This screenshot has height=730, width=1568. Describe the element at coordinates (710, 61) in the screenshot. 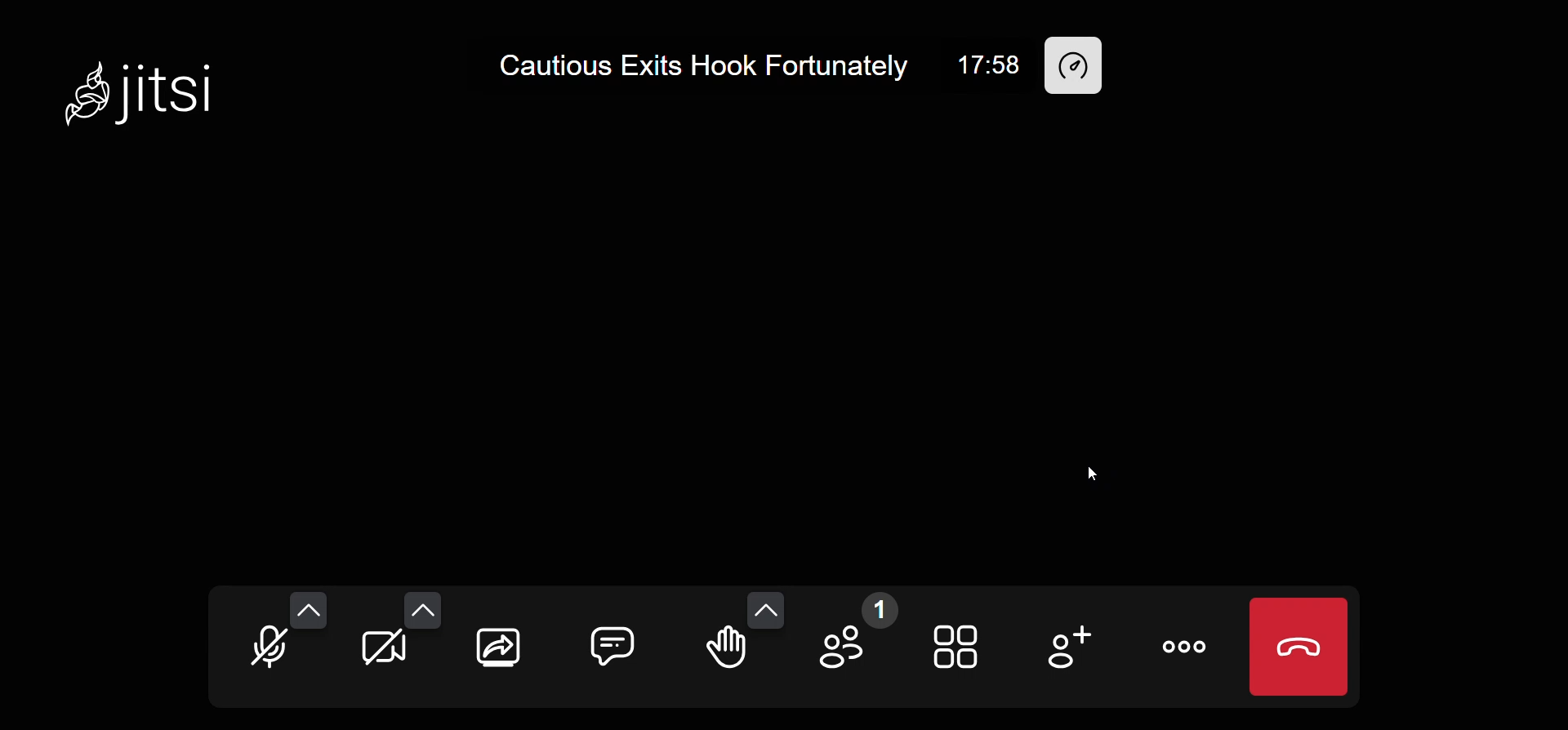

I see `Cautious Exits Hook Fortunately` at that location.